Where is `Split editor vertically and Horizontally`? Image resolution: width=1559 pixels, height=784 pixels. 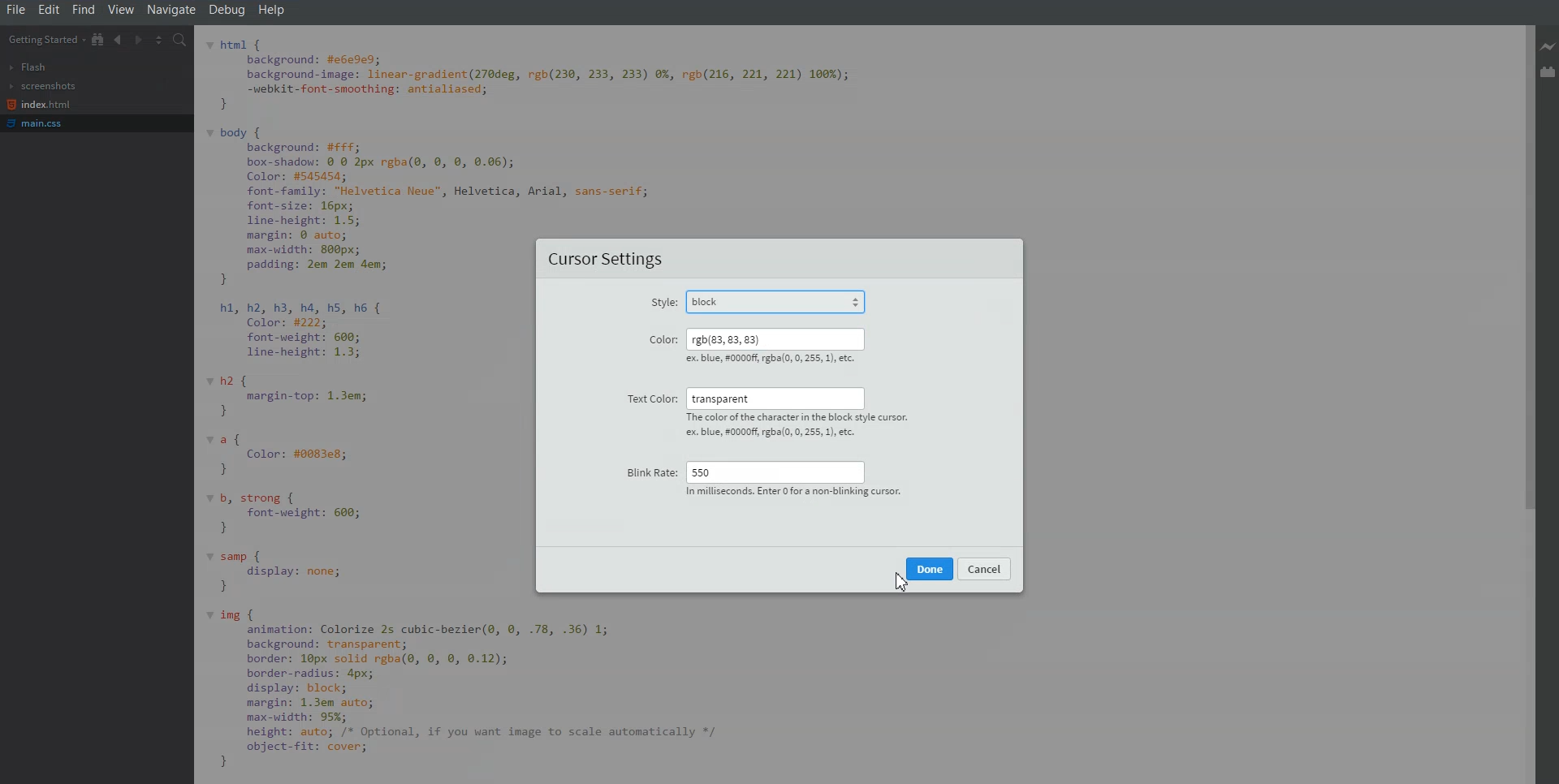
Split editor vertically and Horizontally is located at coordinates (159, 39).